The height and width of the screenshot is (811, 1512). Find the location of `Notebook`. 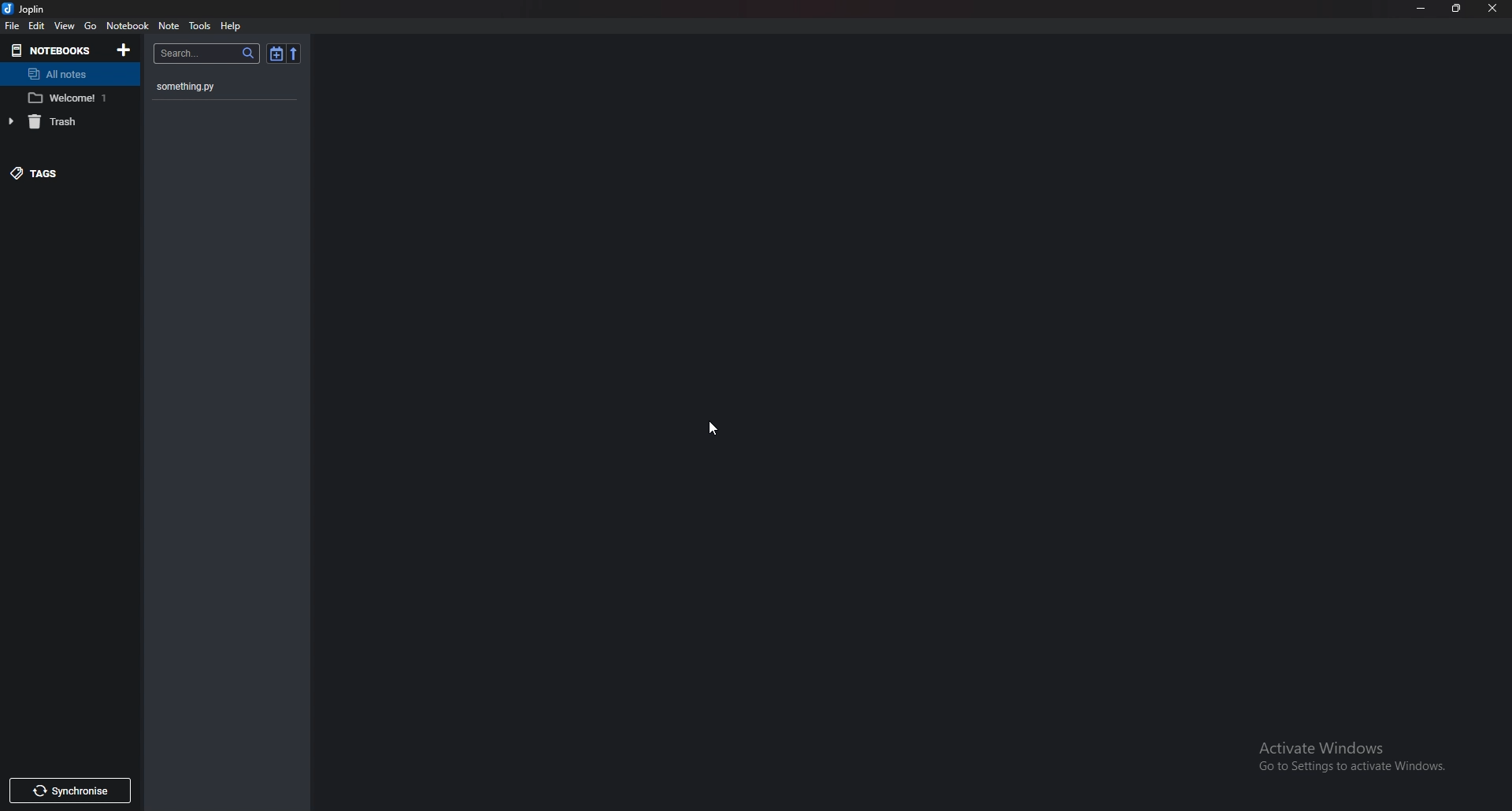

Notebook is located at coordinates (128, 25).